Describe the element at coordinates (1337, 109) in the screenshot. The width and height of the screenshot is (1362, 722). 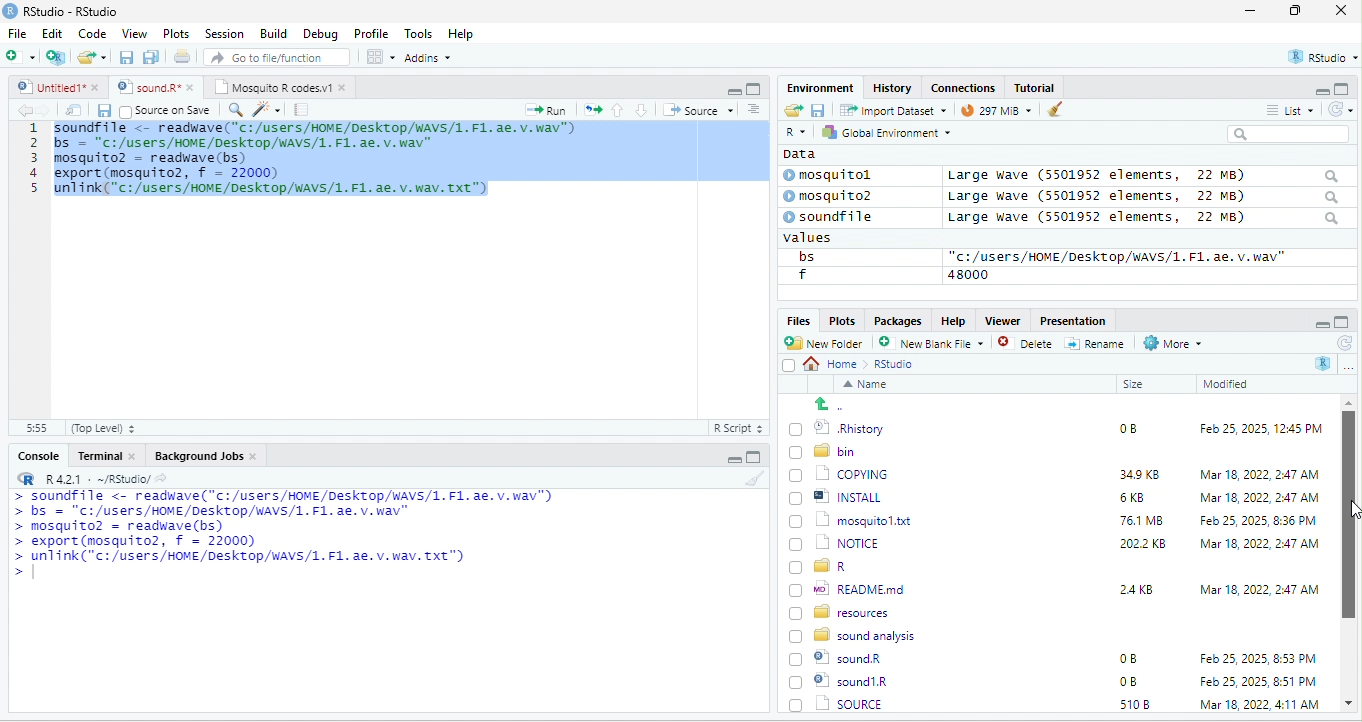
I see `refresh` at that location.